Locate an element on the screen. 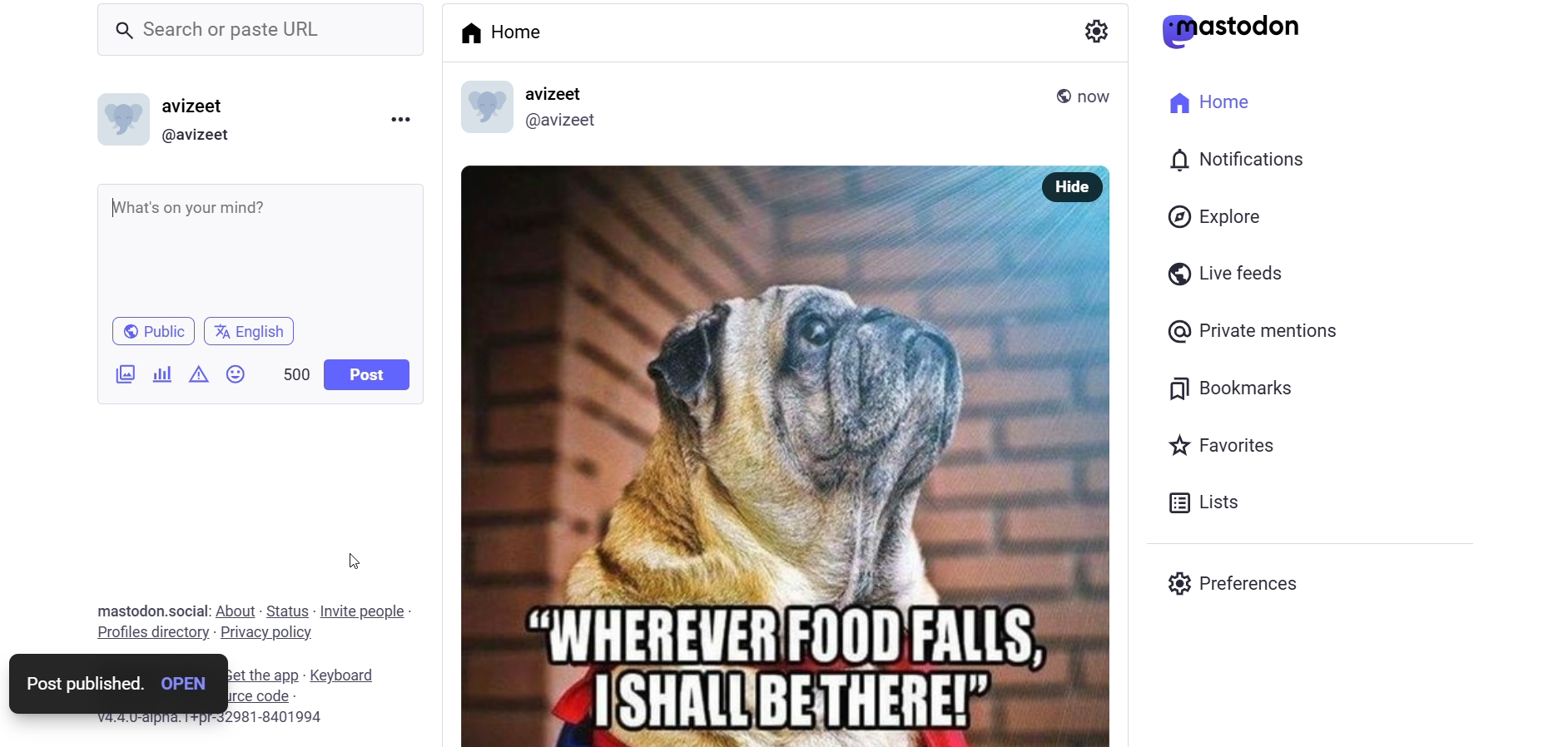 The height and width of the screenshot is (747, 1568). explore is located at coordinates (1216, 216).